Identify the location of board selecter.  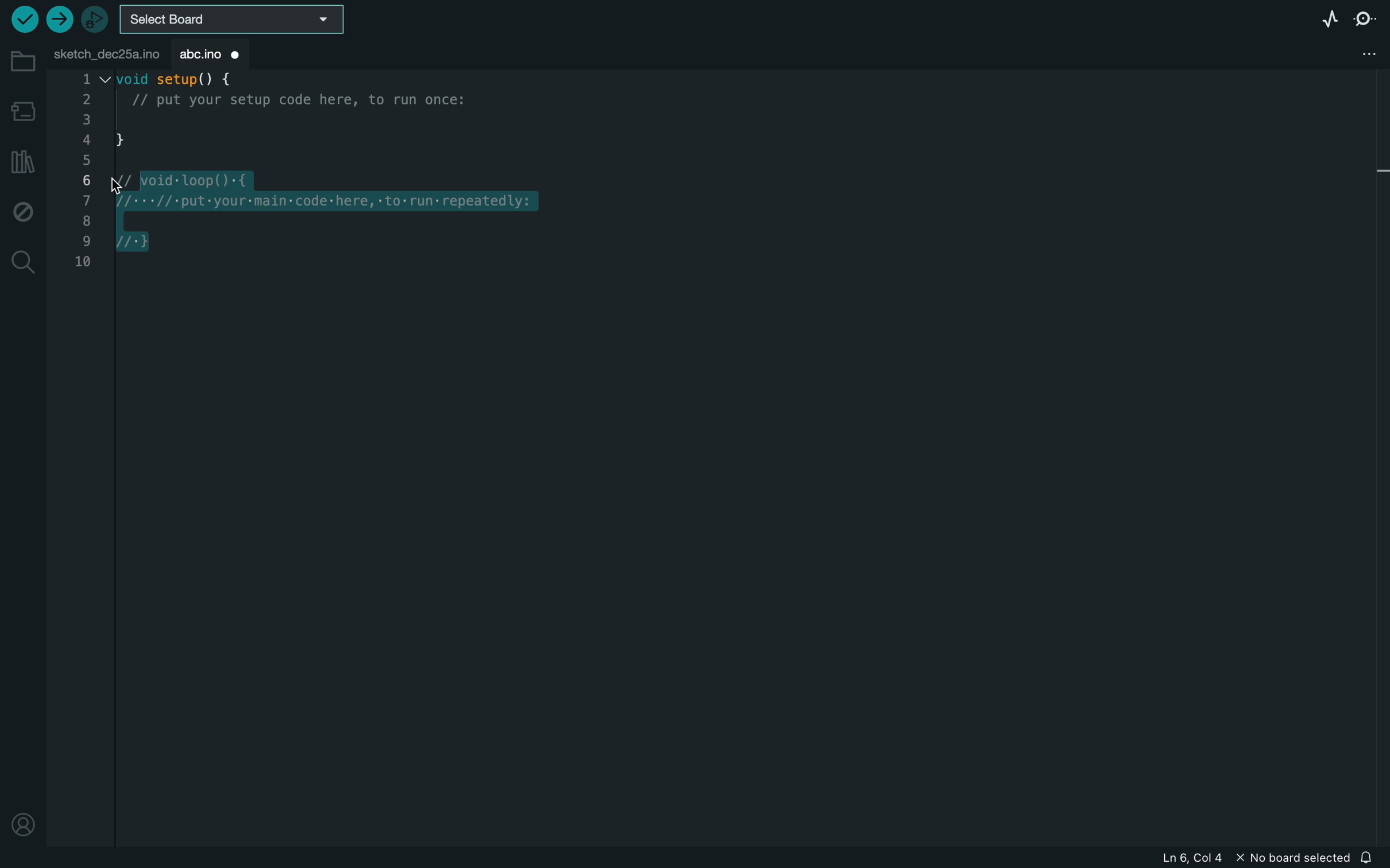
(234, 18).